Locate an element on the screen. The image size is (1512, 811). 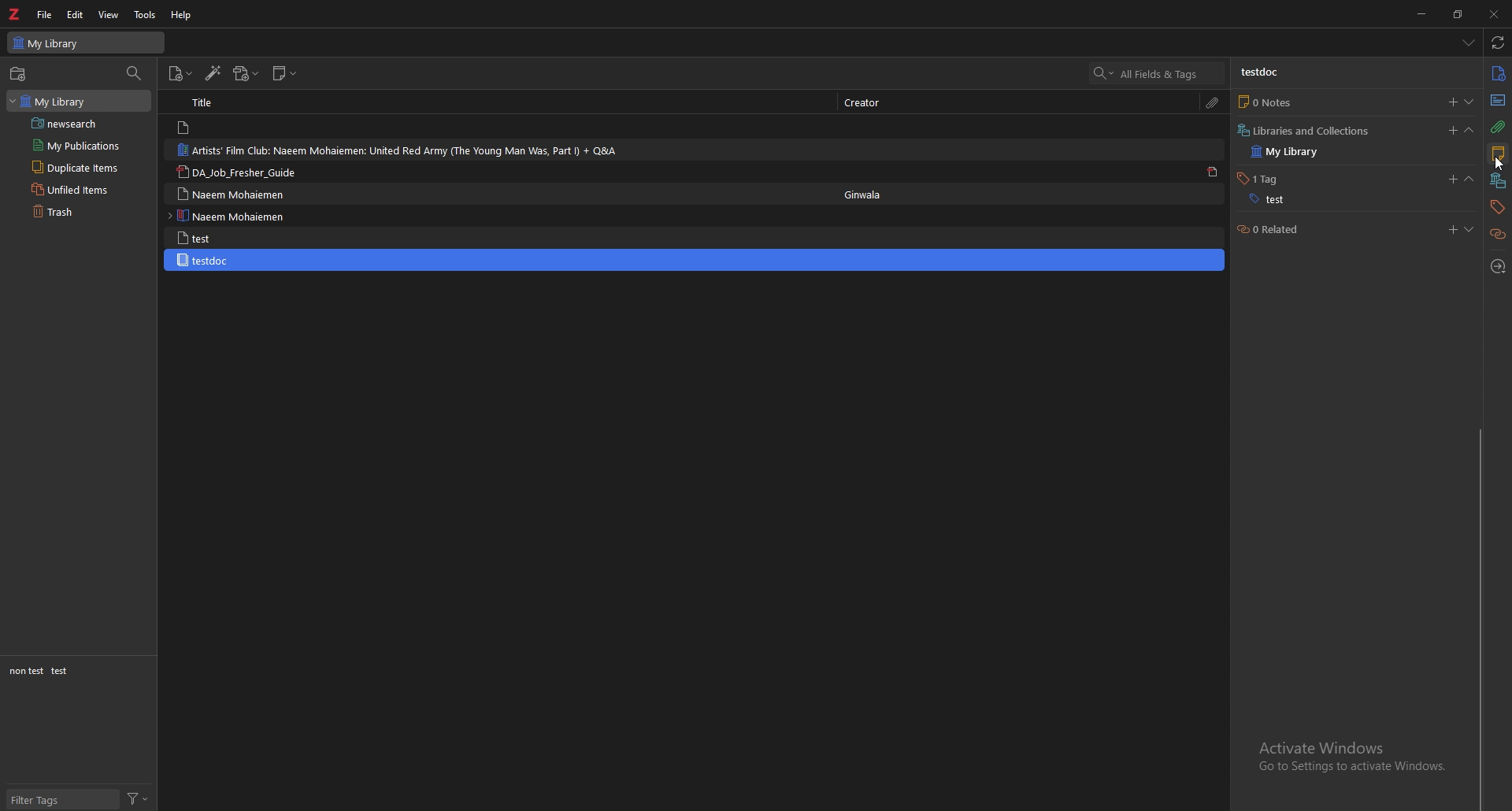
saved search is located at coordinates (83, 124).